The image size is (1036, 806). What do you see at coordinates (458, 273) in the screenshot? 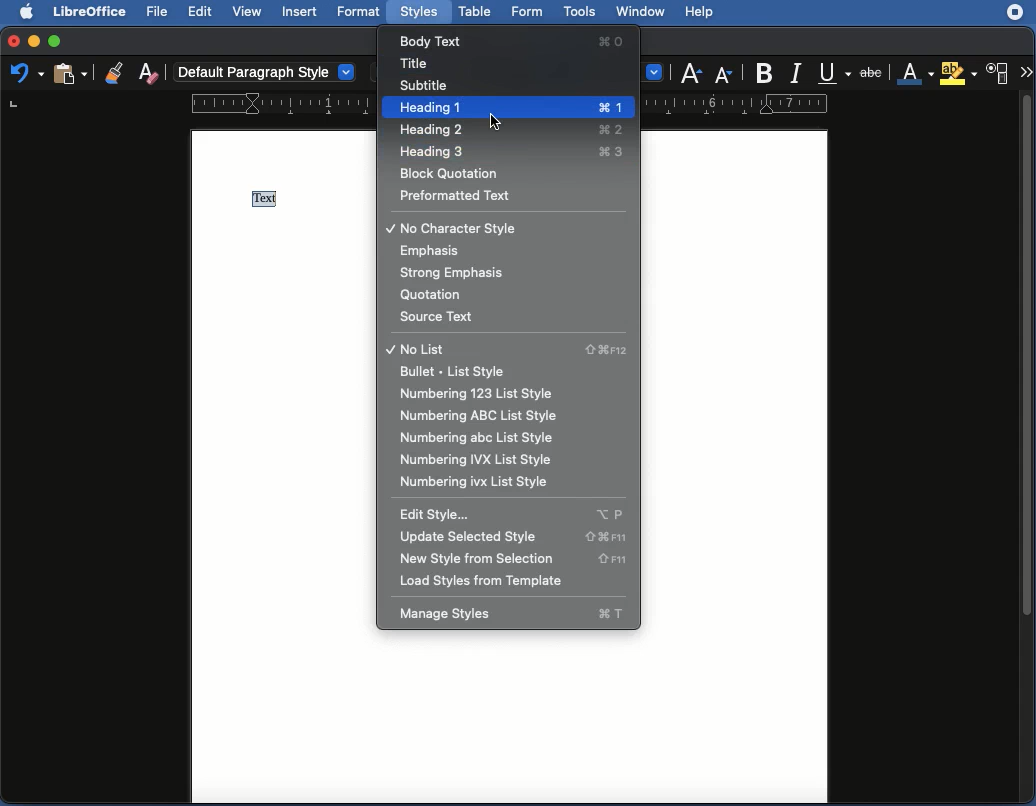
I see `Strong emphasis` at bounding box center [458, 273].